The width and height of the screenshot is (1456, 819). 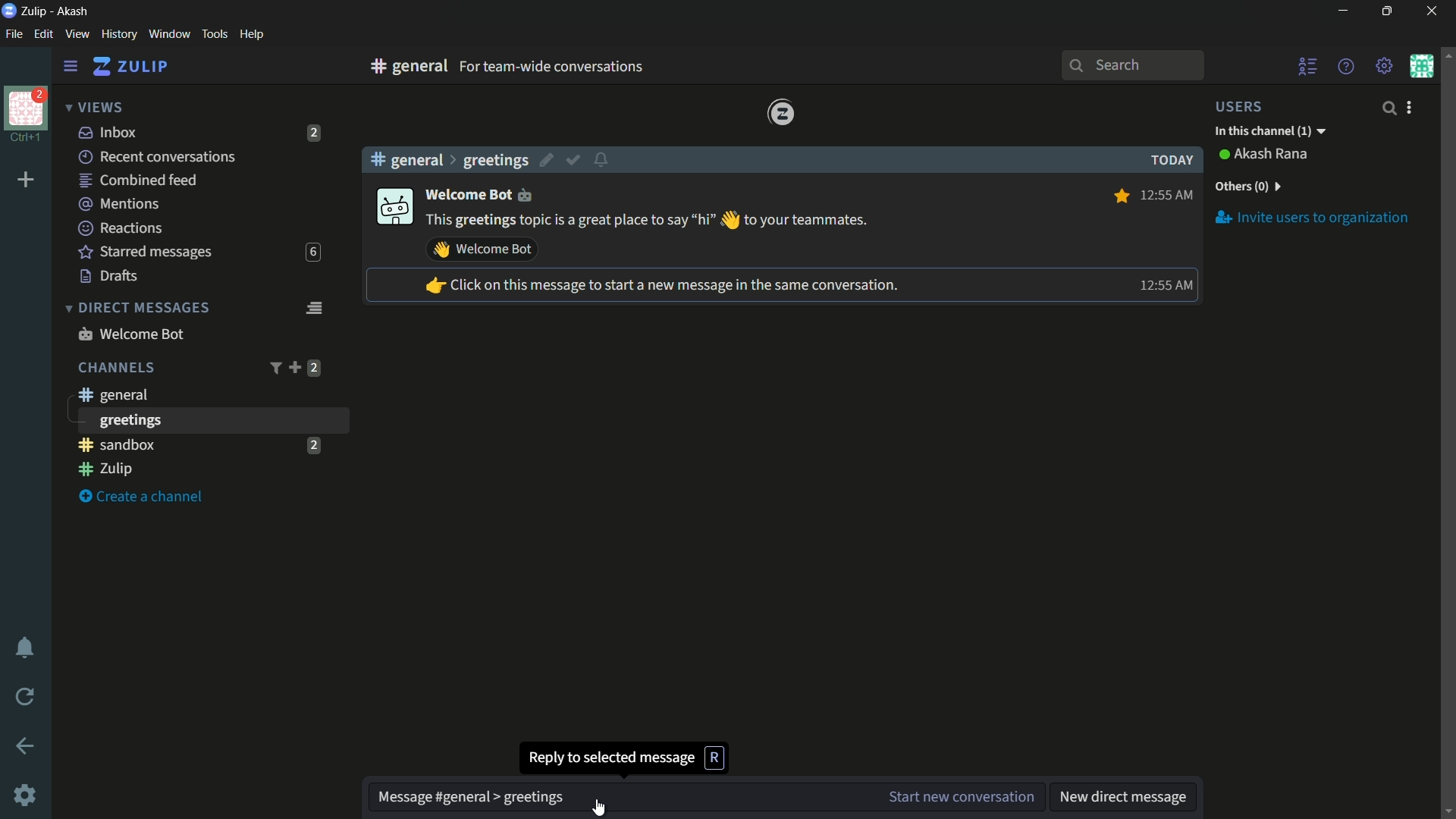 What do you see at coordinates (26, 747) in the screenshot?
I see `go back` at bounding box center [26, 747].